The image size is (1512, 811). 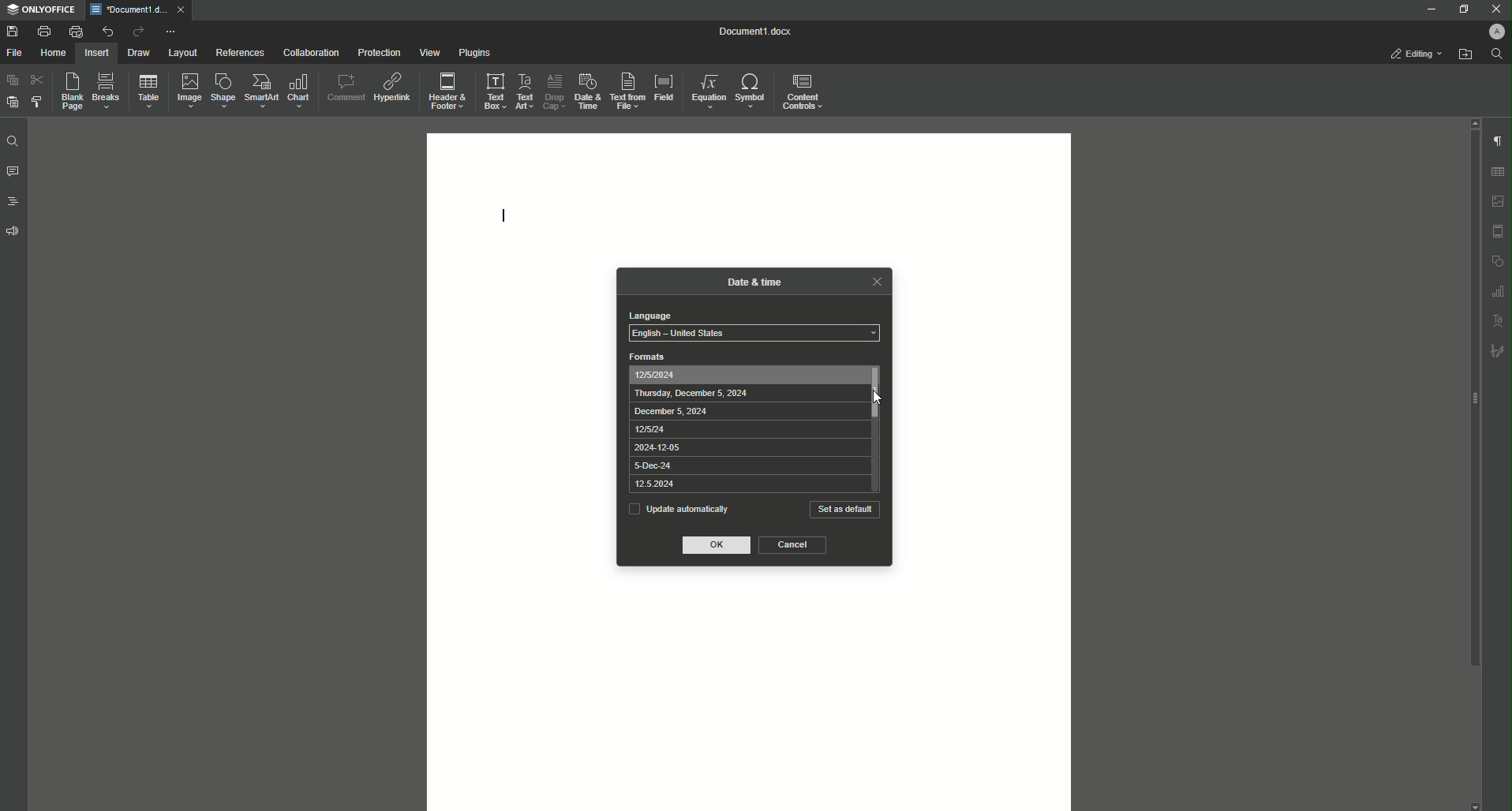 I want to click on Header and Footer, so click(x=447, y=88).